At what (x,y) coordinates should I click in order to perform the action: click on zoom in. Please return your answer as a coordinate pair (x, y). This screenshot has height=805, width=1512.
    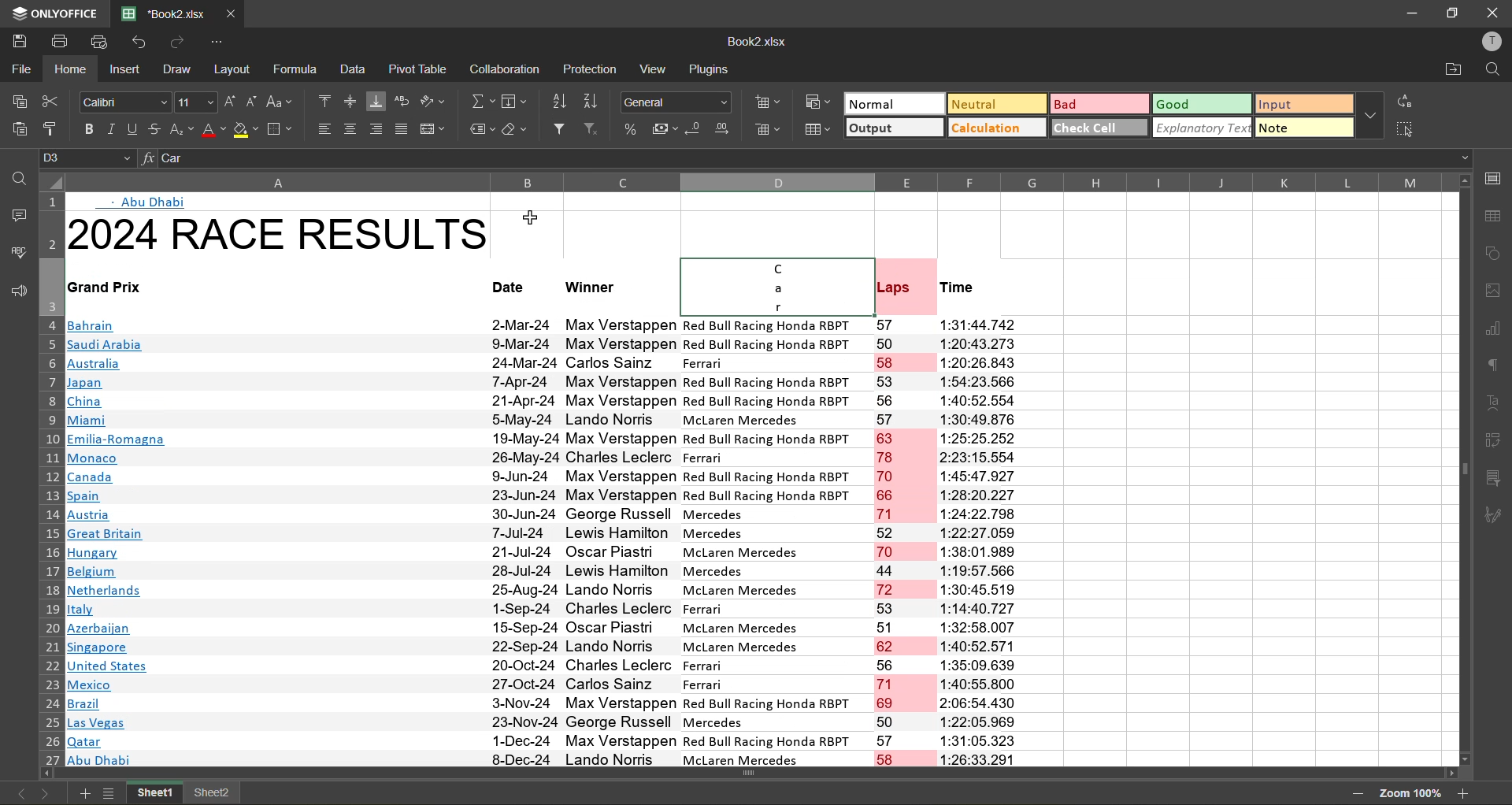
    Looking at the image, I should click on (1464, 794).